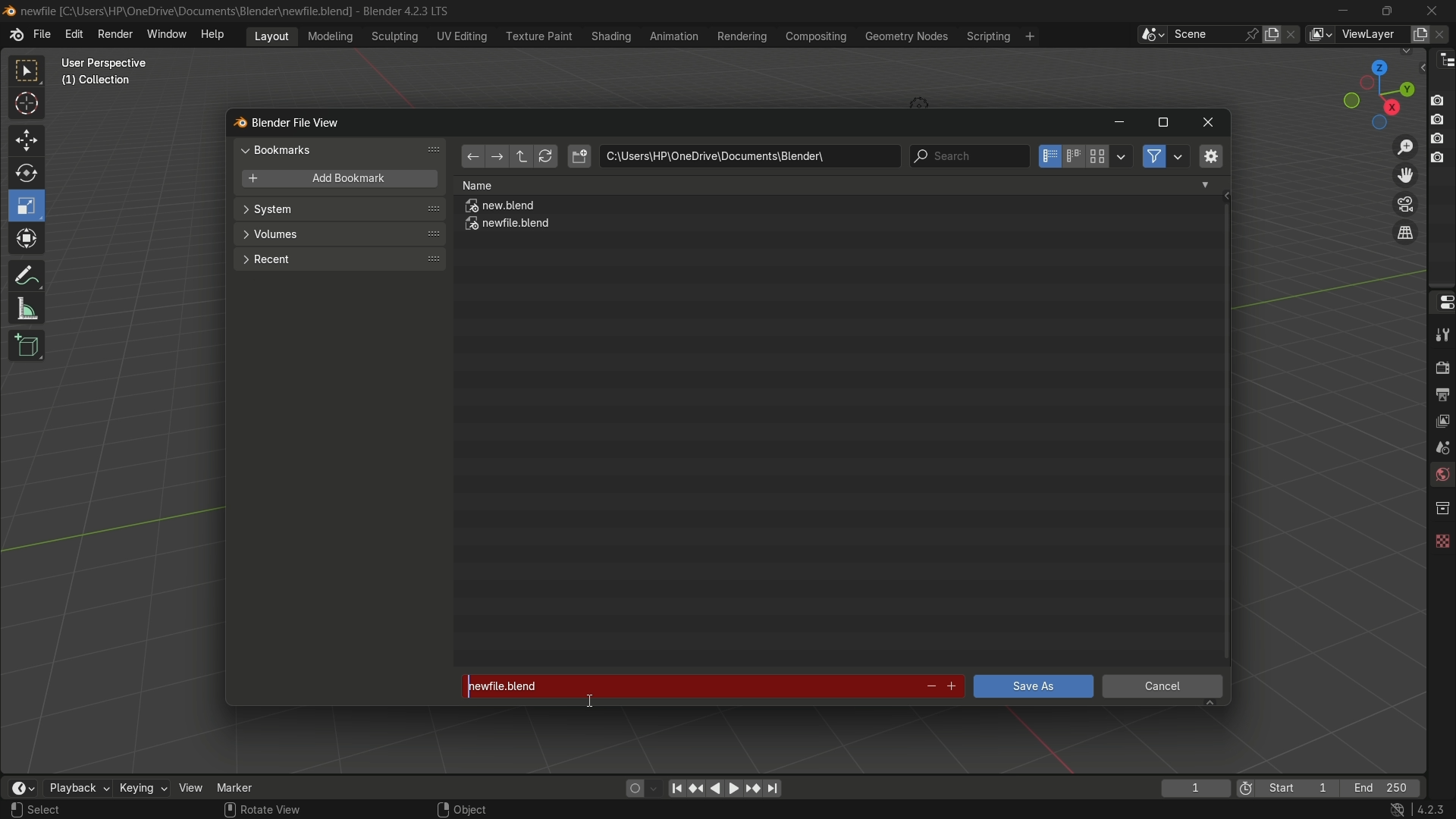  I want to click on annotate, so click(26, 274).